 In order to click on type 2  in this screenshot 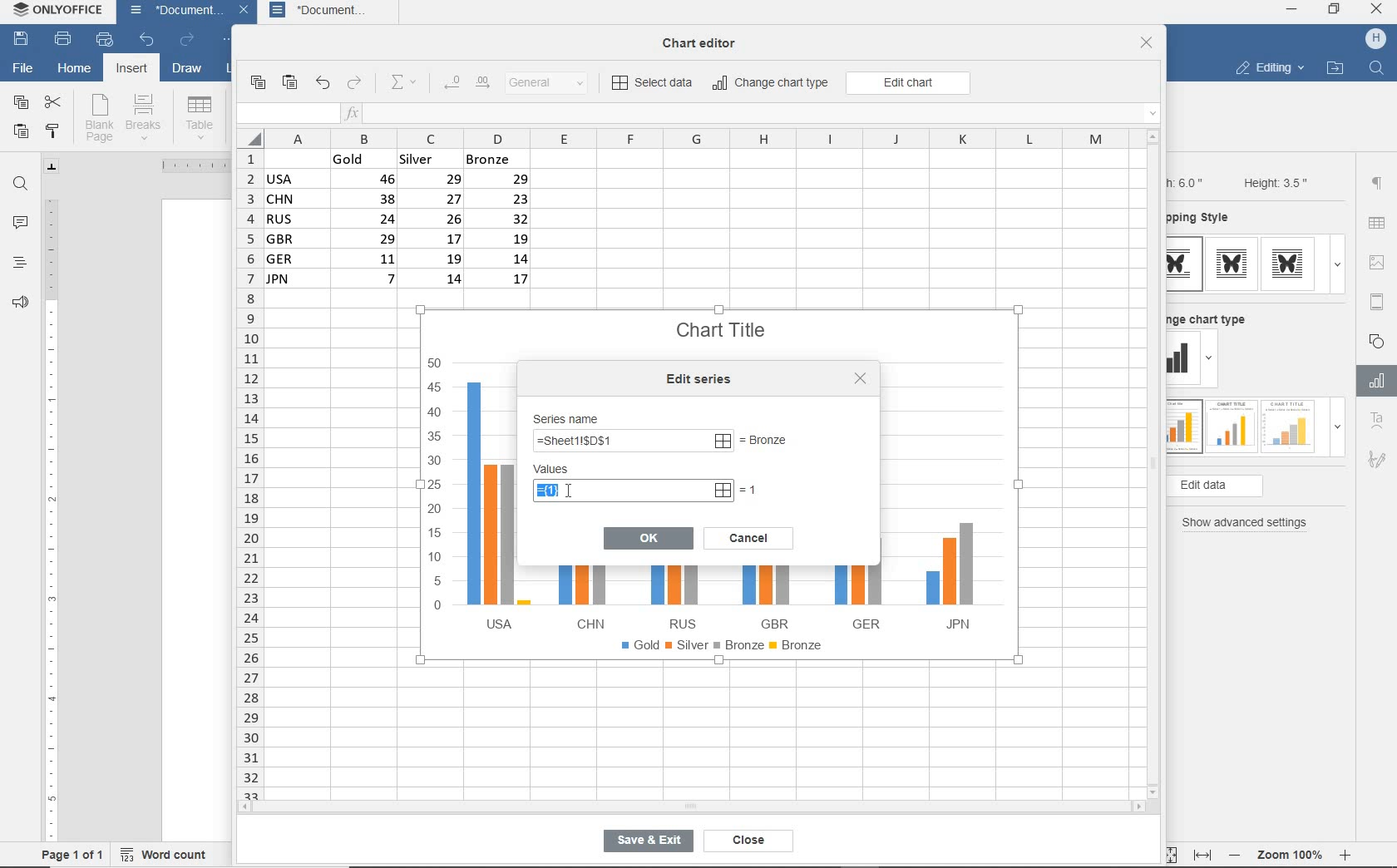, I will do `click(1229, 425)`.